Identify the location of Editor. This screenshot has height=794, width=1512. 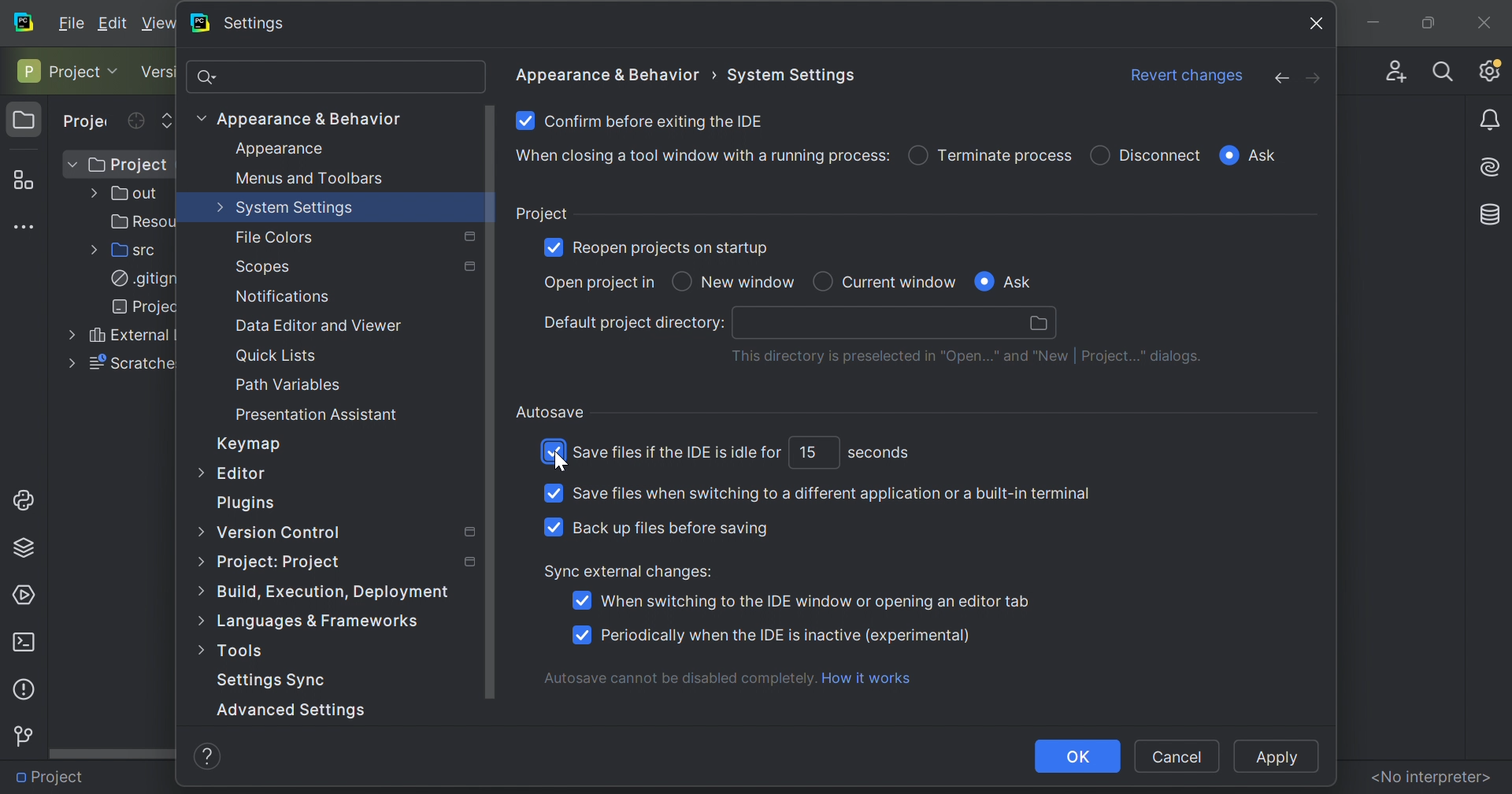
(244, 475).